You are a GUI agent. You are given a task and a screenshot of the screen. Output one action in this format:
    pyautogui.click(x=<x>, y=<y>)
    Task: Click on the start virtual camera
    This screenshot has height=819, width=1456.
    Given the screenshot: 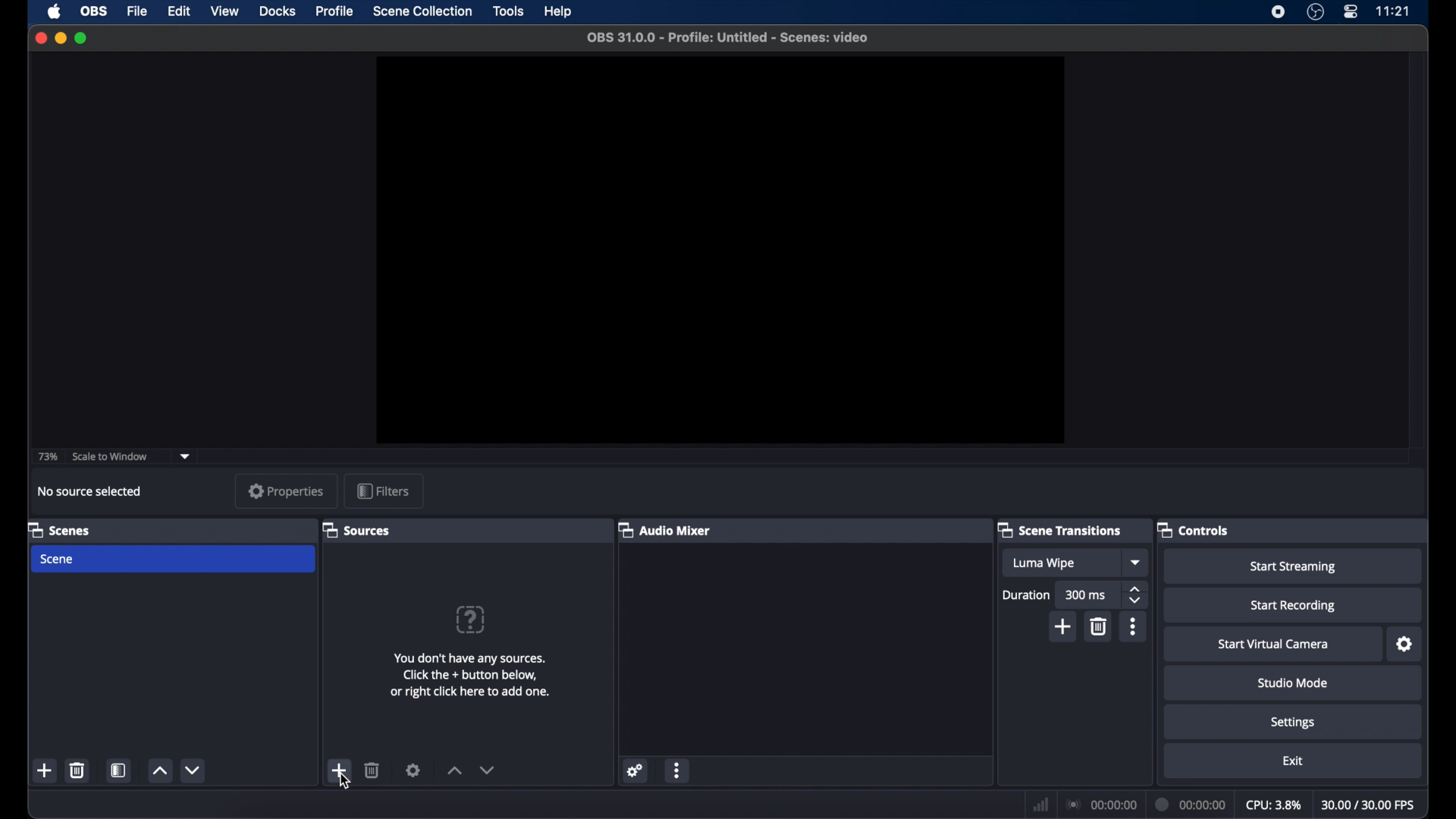 What is the action you would take?
    pyautogui.click(x=1275, y=645)
    